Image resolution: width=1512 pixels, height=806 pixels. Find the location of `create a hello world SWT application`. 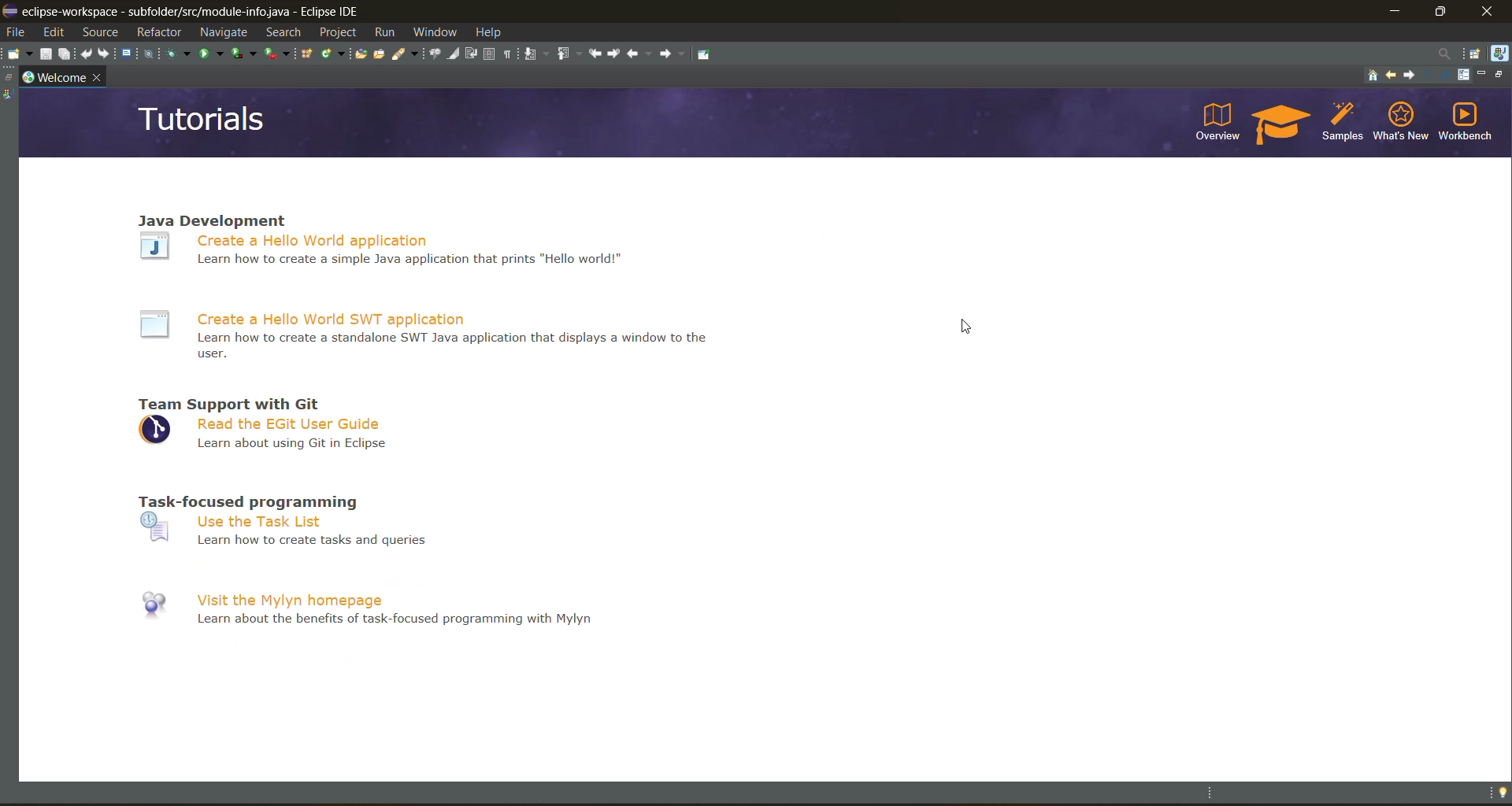

create a hello world SWT application is located at coordinates (434, 335).